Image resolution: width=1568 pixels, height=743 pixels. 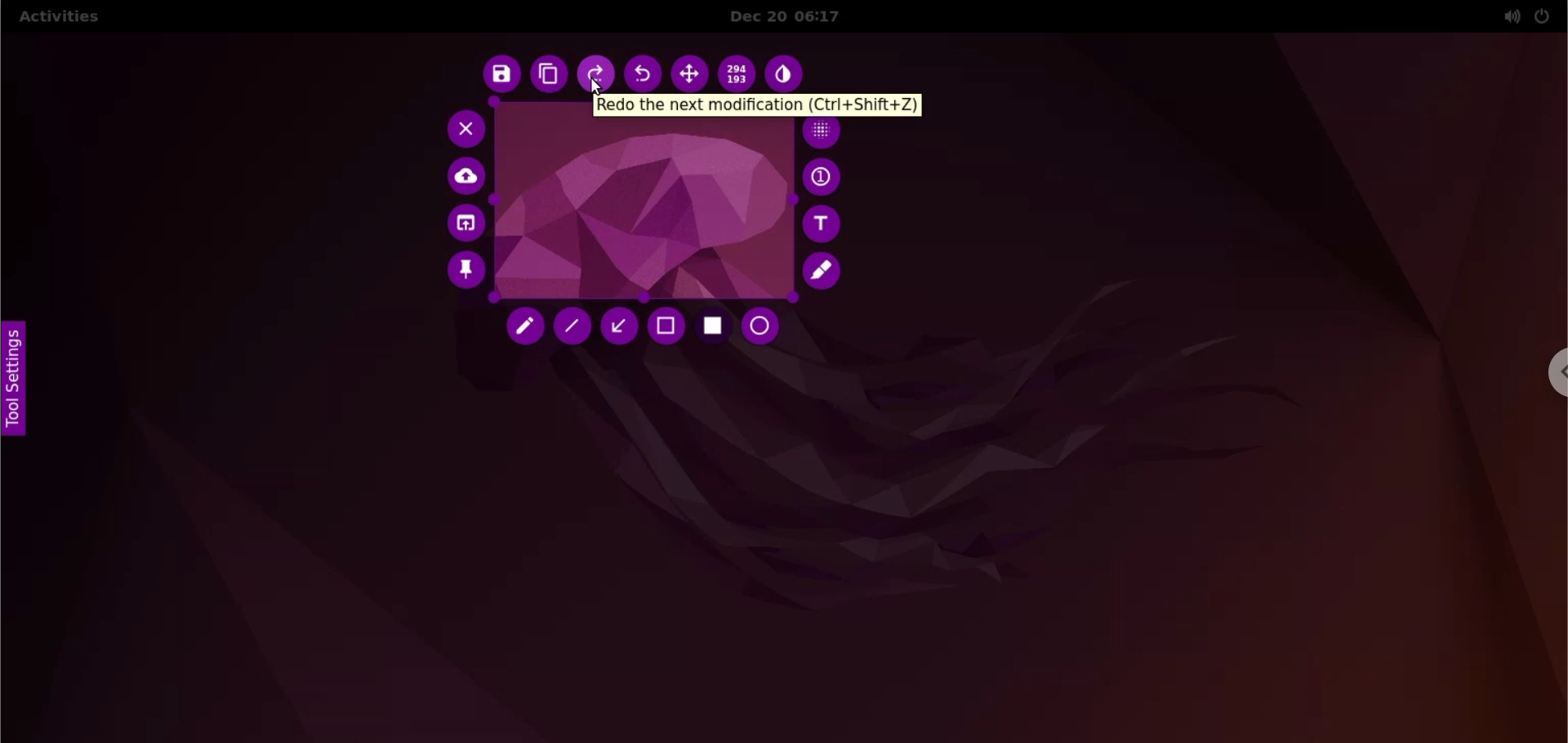 I want to click on pixellete, so click(x=824, y=134).